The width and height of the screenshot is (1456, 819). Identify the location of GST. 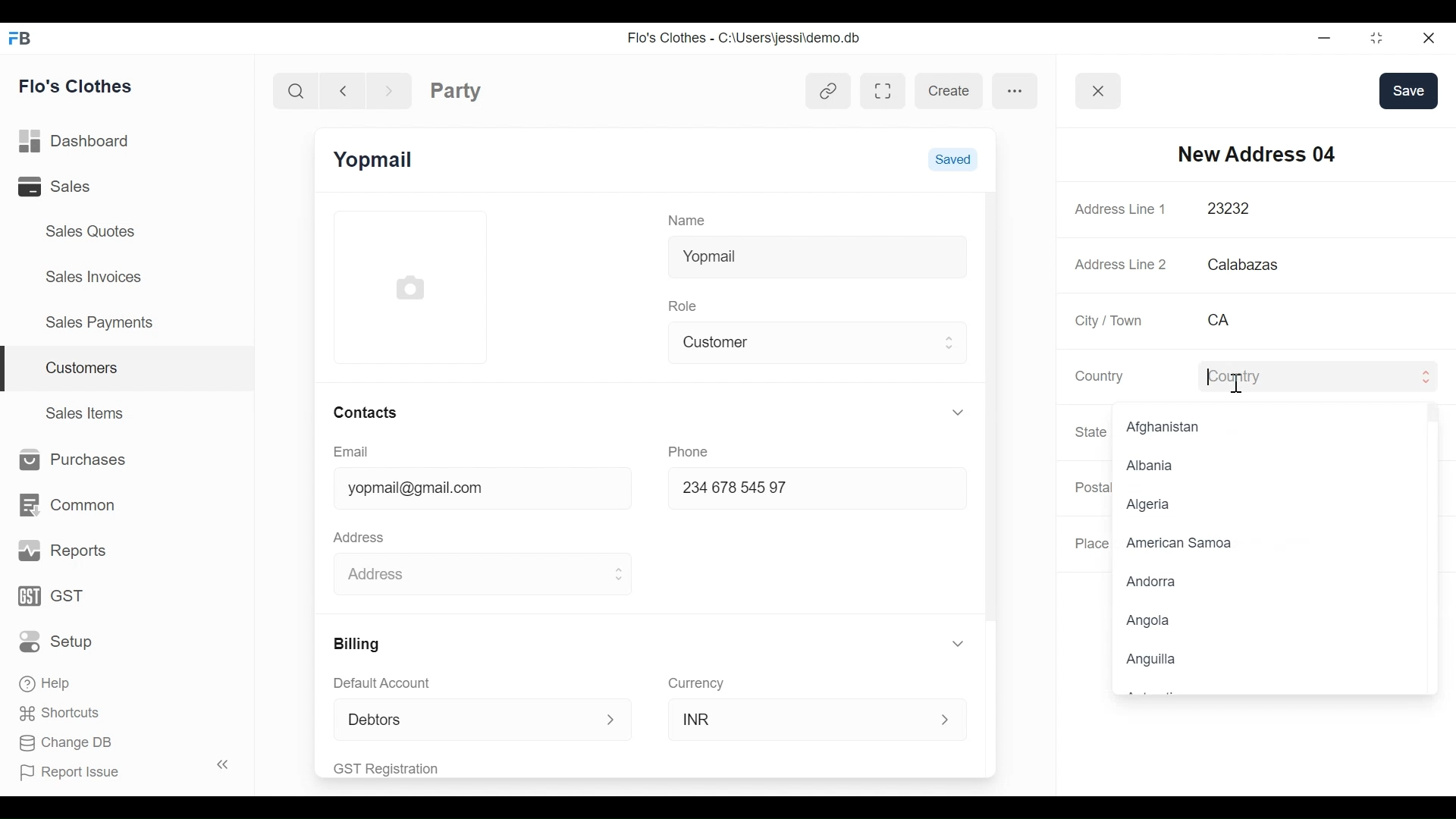
(53, 598).